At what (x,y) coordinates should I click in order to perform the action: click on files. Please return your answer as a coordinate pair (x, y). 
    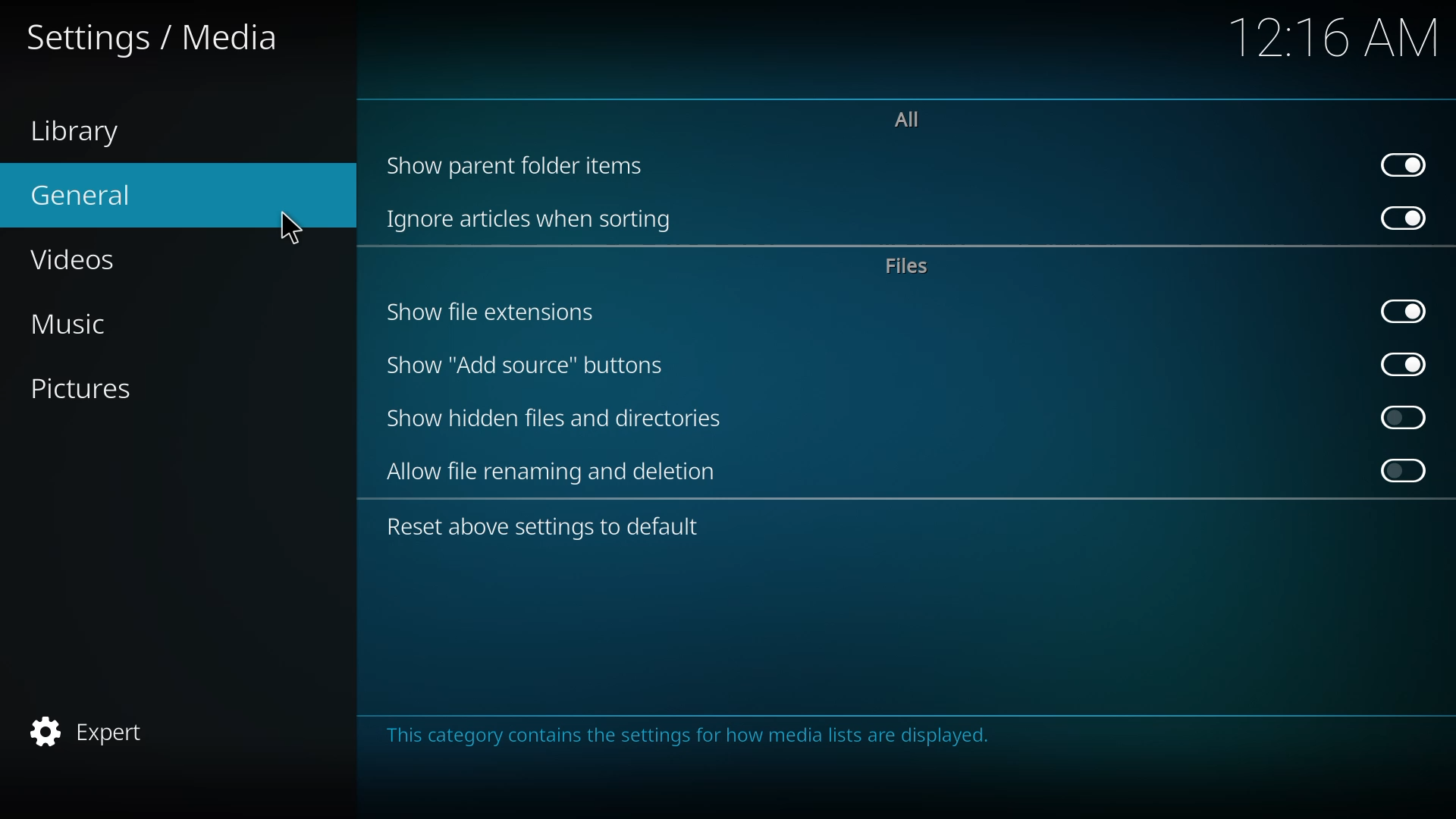
    Looking at the image, I should click on (911, 265).